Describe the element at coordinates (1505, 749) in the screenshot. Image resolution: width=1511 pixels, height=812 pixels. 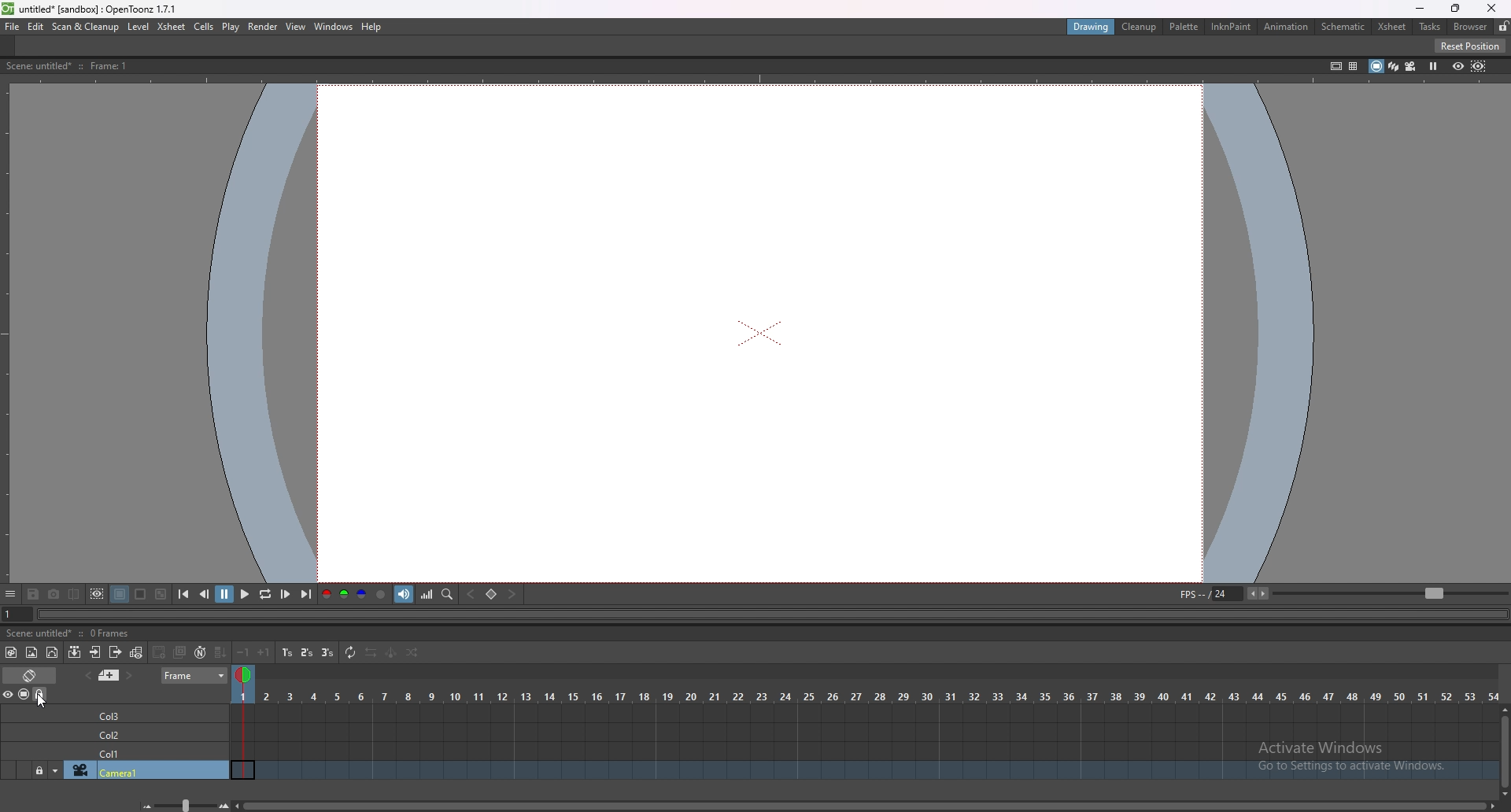
I see `scroll bar` at that location.